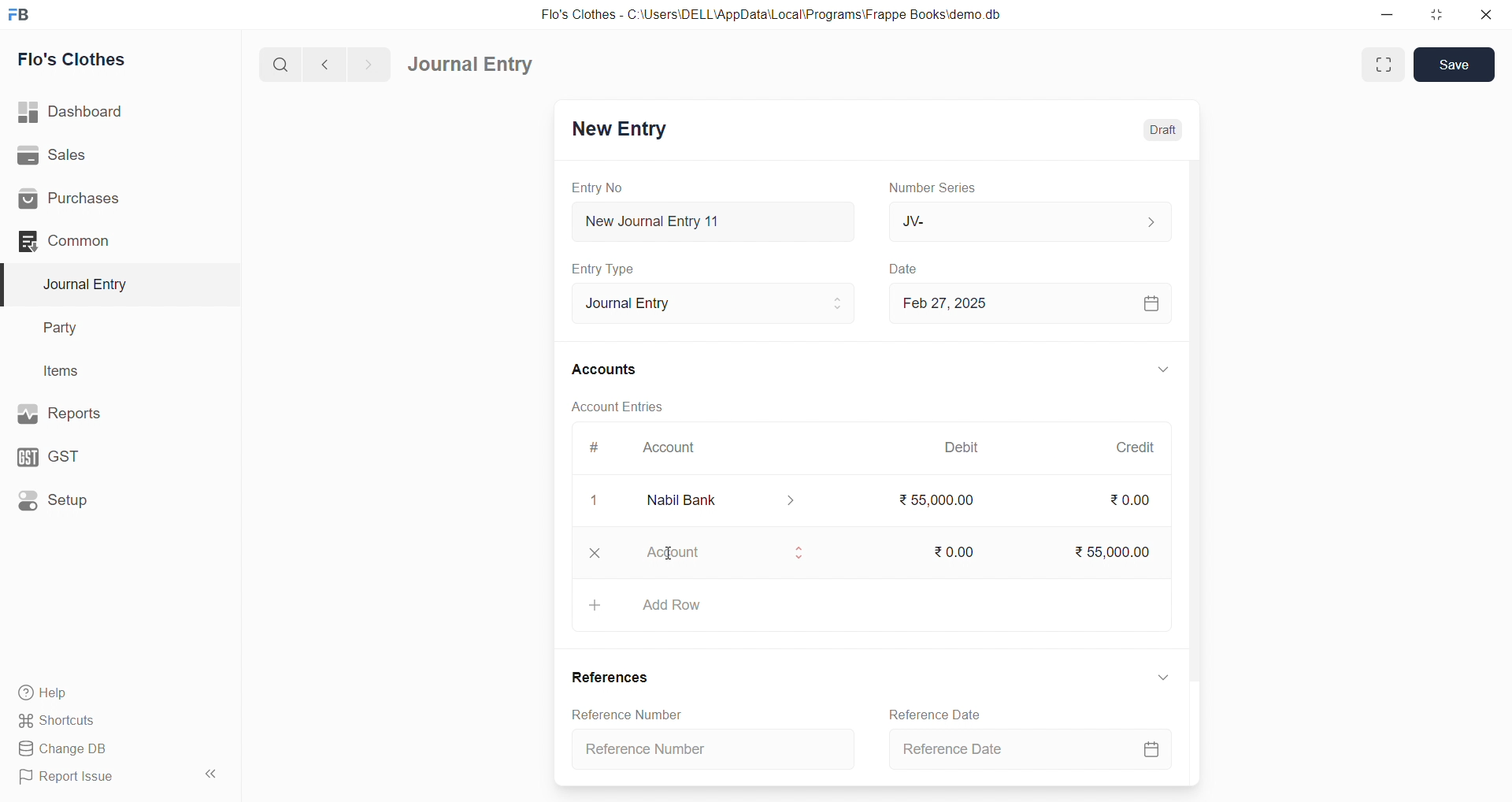 The width and height of the screenshot is (1512, 802). I want to click on + Add Row, so click(870, 604).